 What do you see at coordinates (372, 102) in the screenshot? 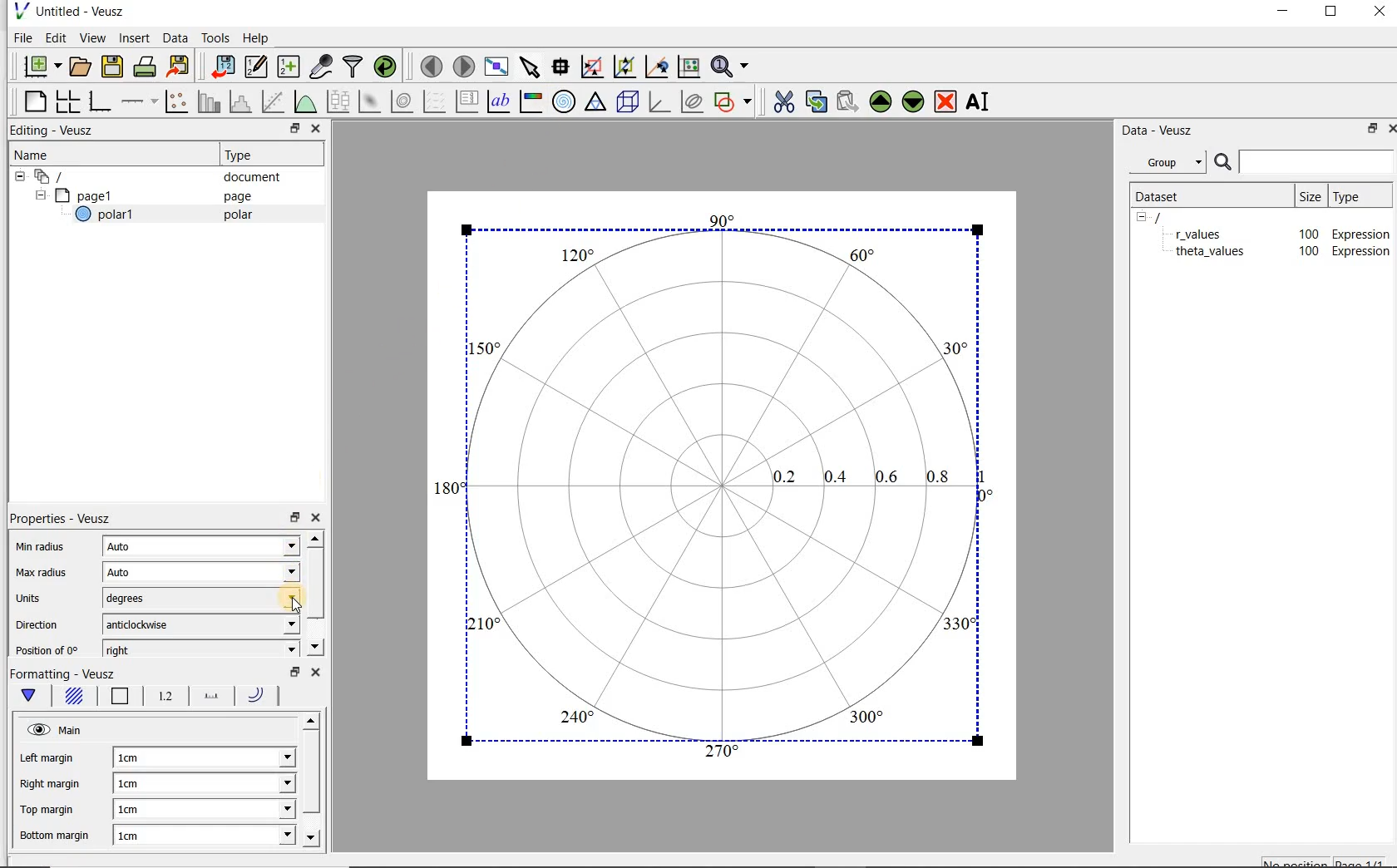
I see `plot a 2d dataset as an image` at bounding box center [372, 102].